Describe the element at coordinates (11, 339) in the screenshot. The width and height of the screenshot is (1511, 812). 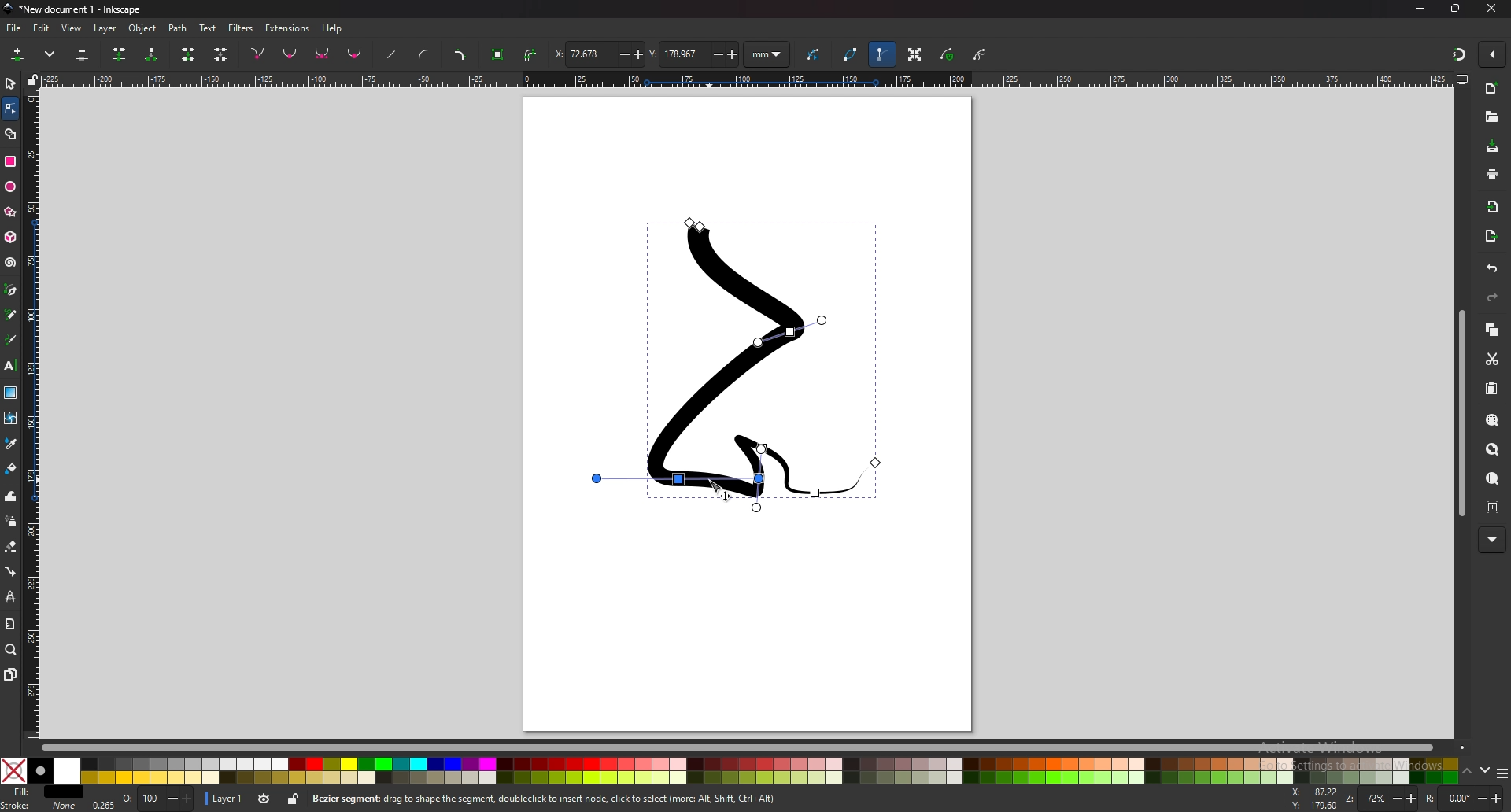
I see `calligraphy` at that location.